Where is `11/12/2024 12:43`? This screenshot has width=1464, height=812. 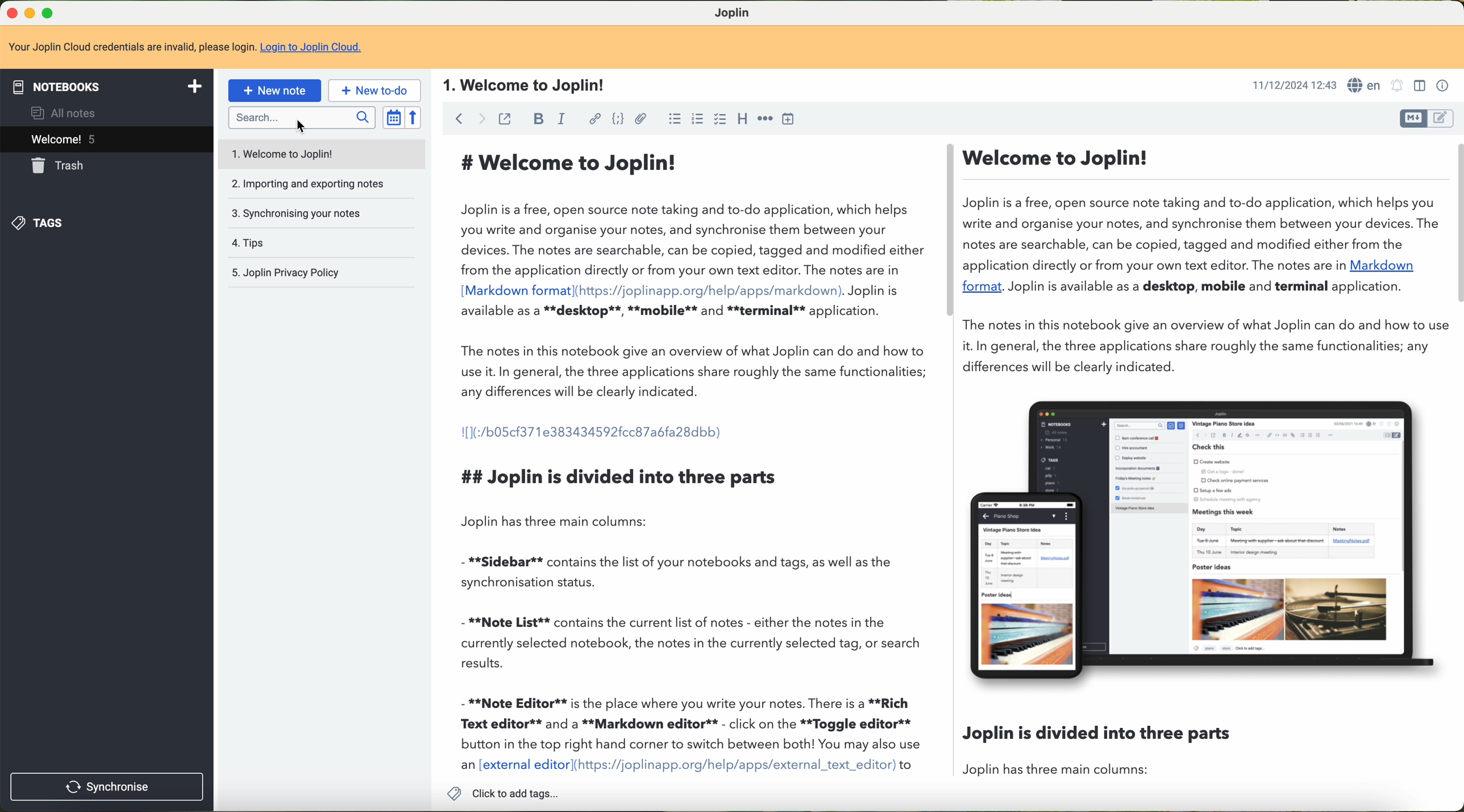
11/12/2024 12:43 is located at coordinates (1292, 86).